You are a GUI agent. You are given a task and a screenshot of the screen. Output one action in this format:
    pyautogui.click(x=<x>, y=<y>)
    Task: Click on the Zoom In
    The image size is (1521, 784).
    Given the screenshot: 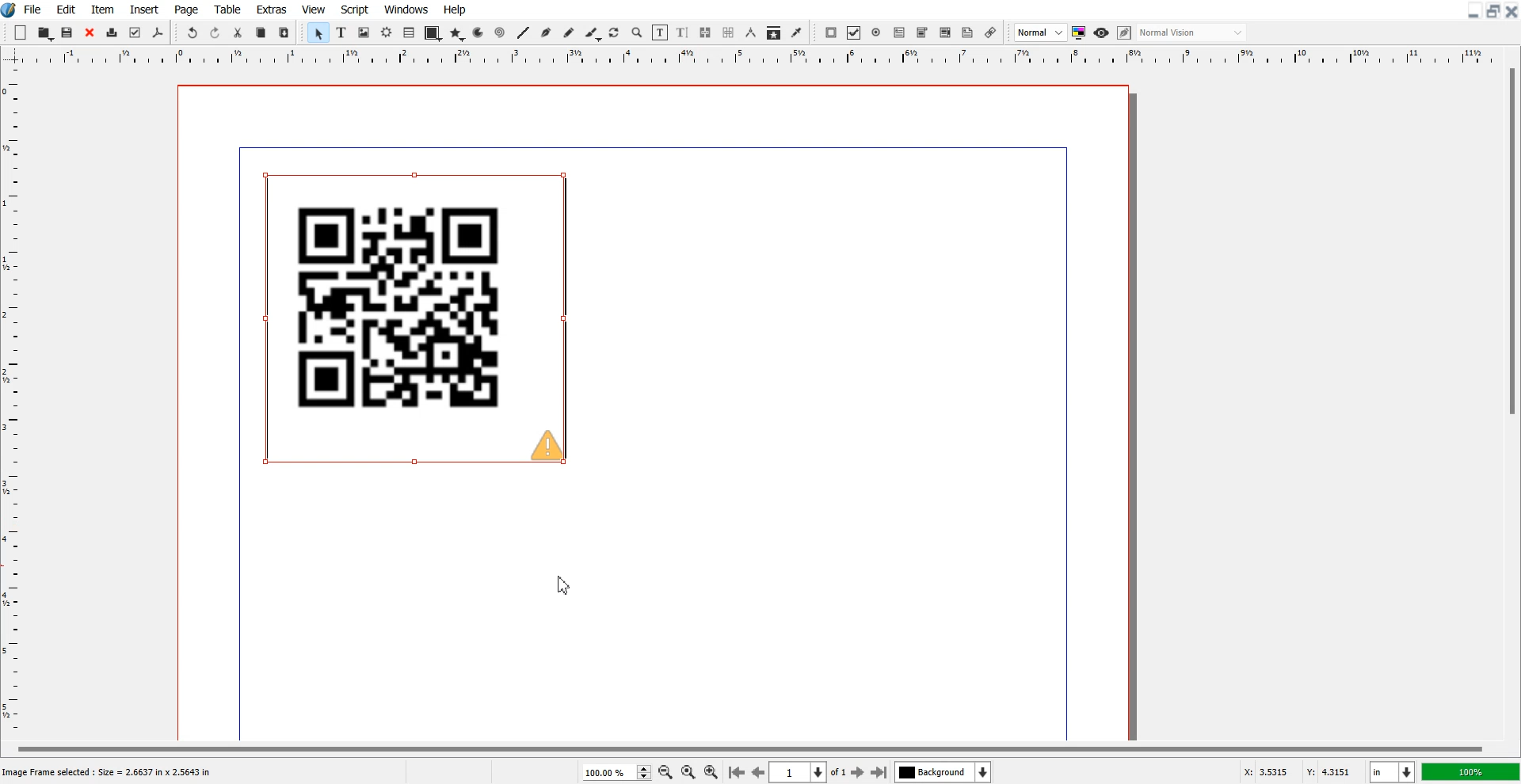 What is the action you would take?
    pyautogui.click(x=712, y=771)
    